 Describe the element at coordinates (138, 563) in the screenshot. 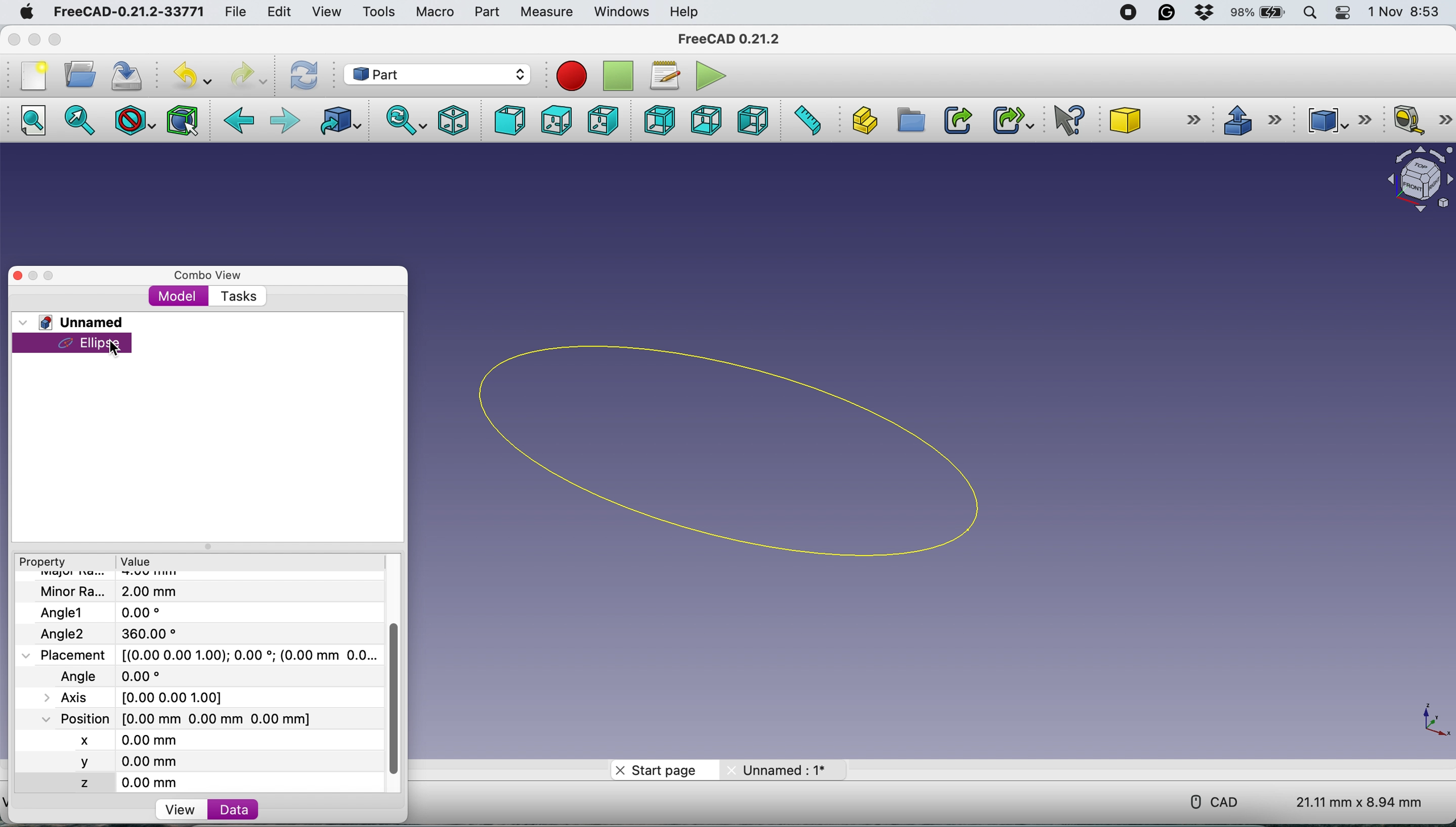

I see `value` at that location.